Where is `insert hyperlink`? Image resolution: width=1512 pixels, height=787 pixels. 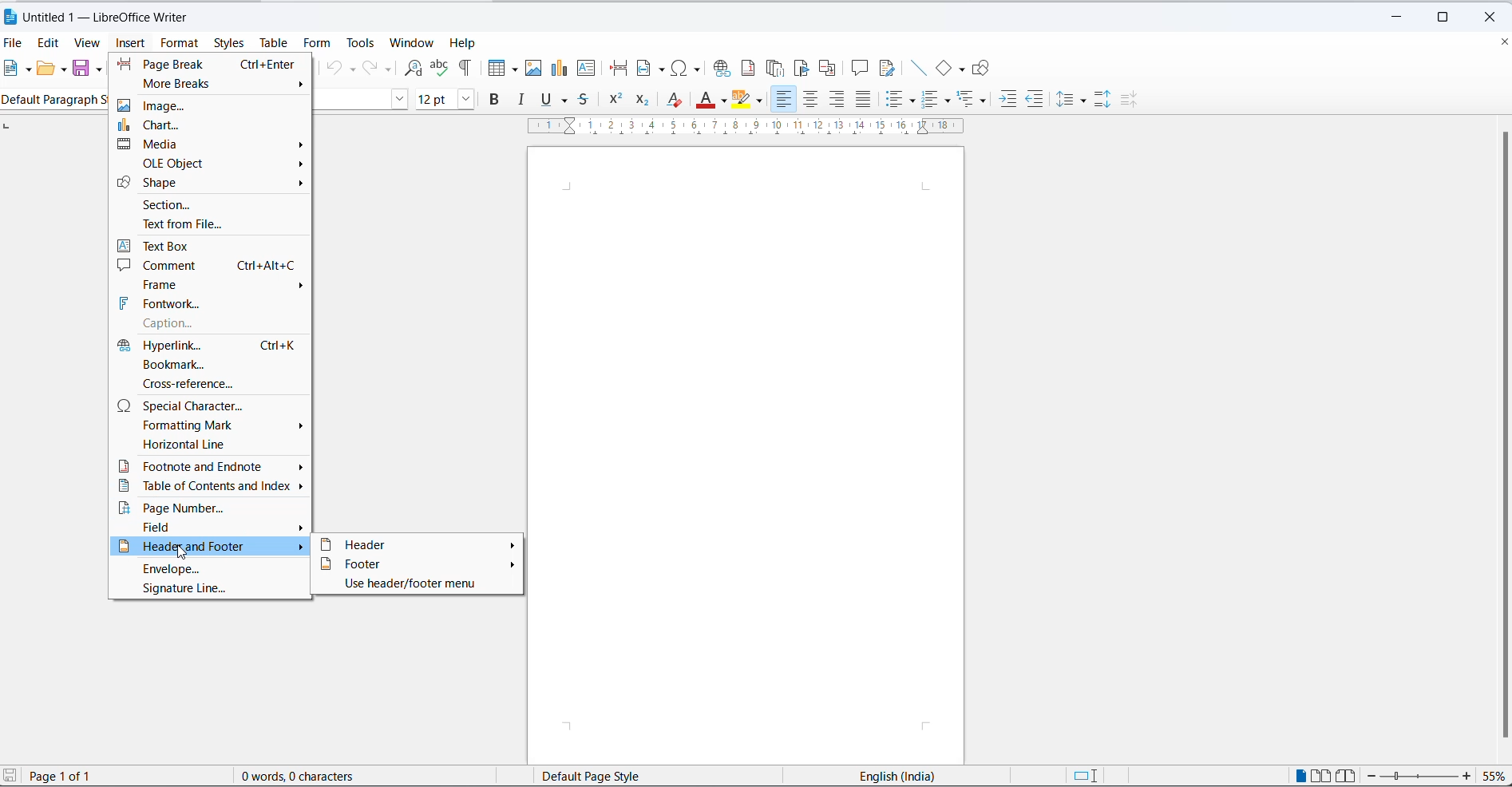 insert hyperlink is located at coordinates (722, 68).